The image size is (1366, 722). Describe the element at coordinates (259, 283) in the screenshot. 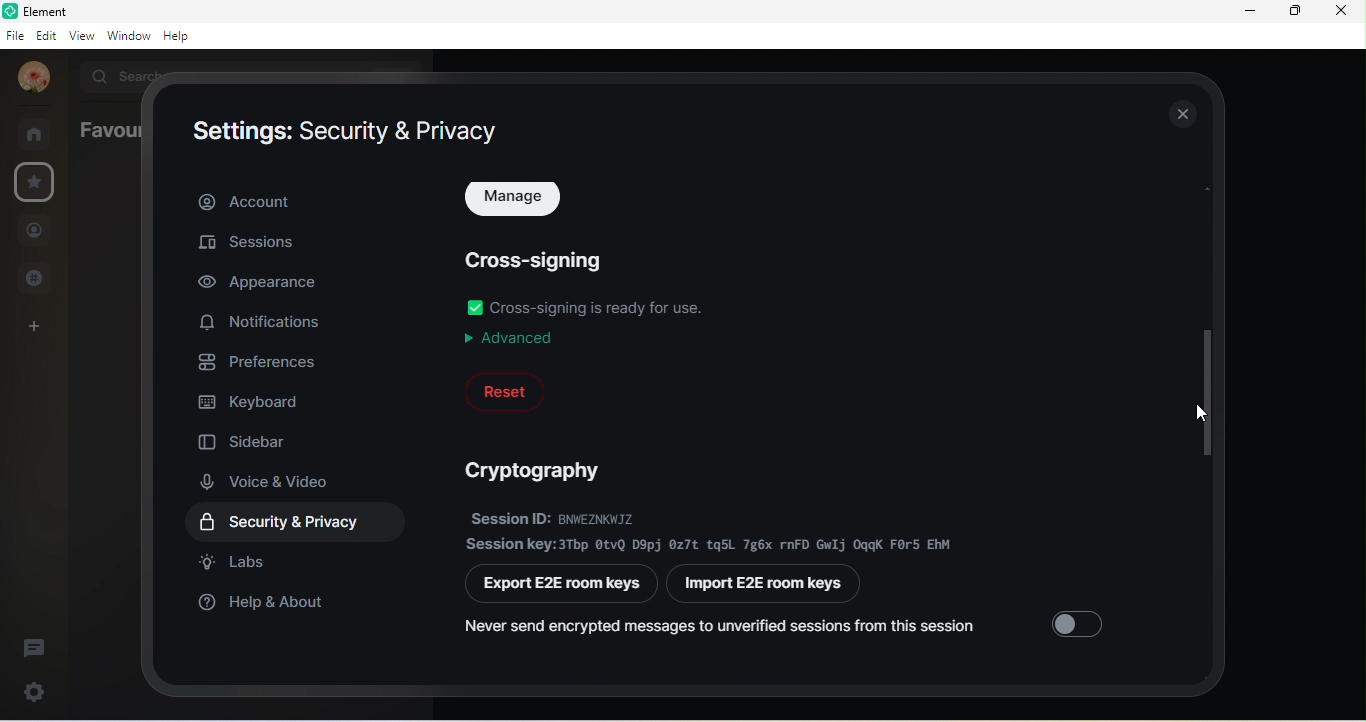

I see `appearance` at that location.